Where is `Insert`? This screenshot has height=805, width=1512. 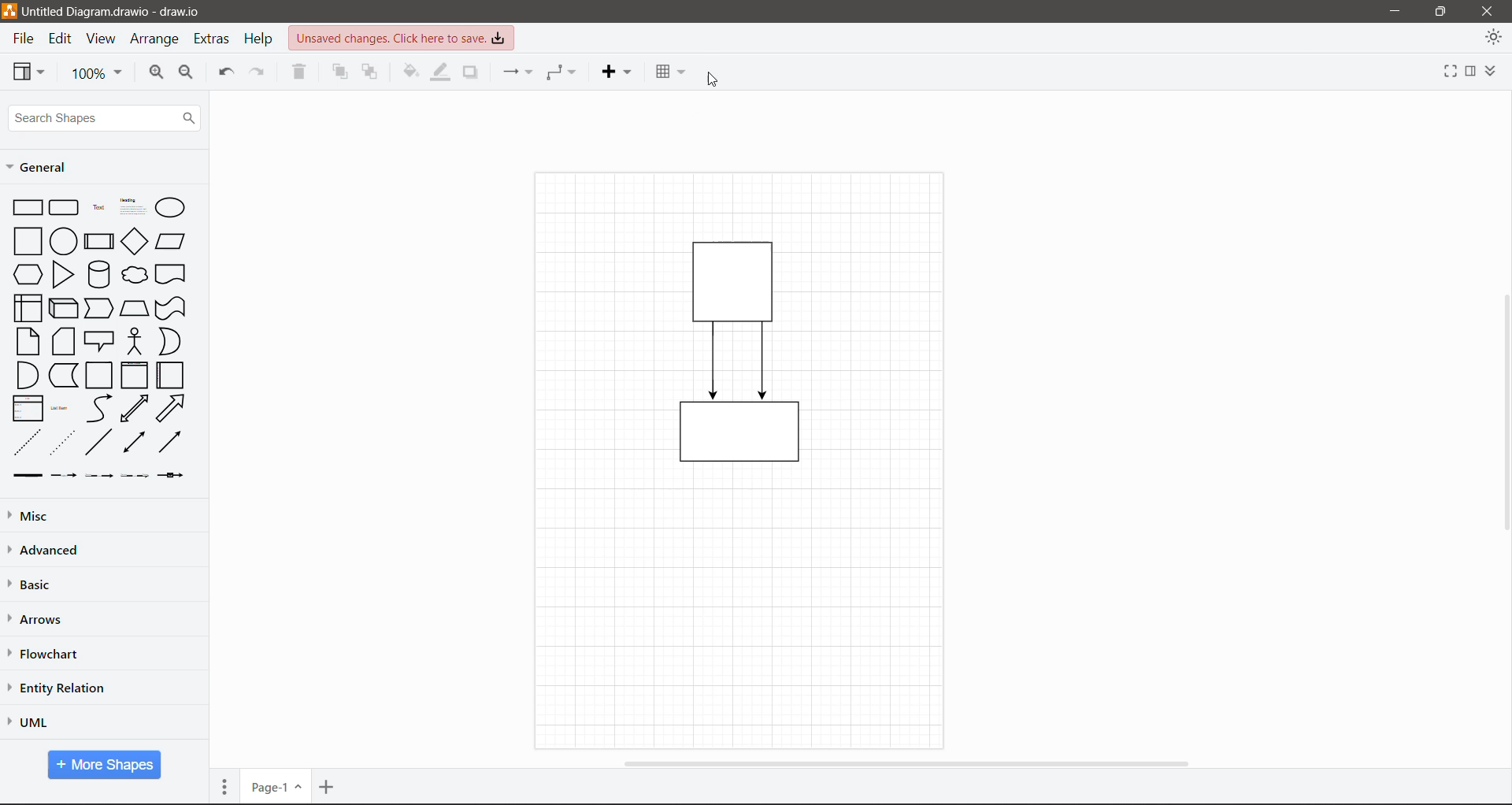 Insert is located at coordinates (616, 72).